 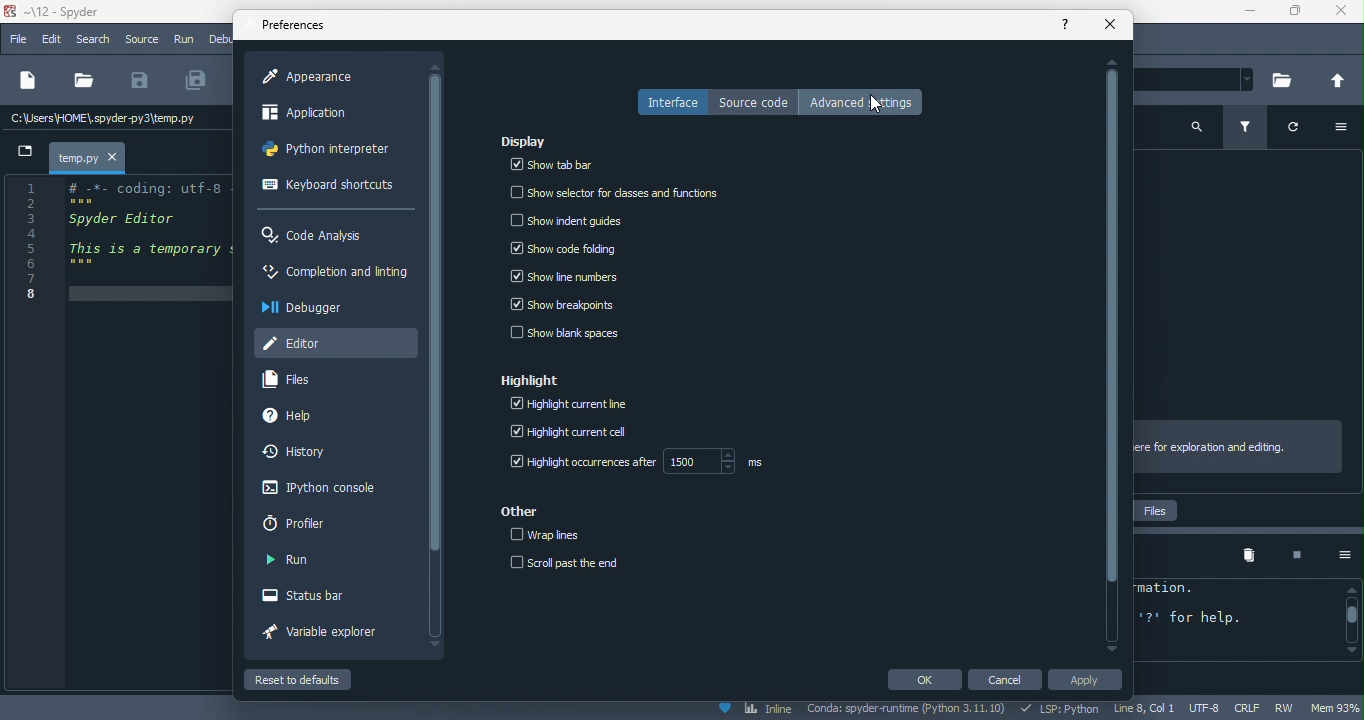 What do you see at coordinates (331, 635) in the screenshot?
I see `variable explorer` at bounding box center [331, 635].